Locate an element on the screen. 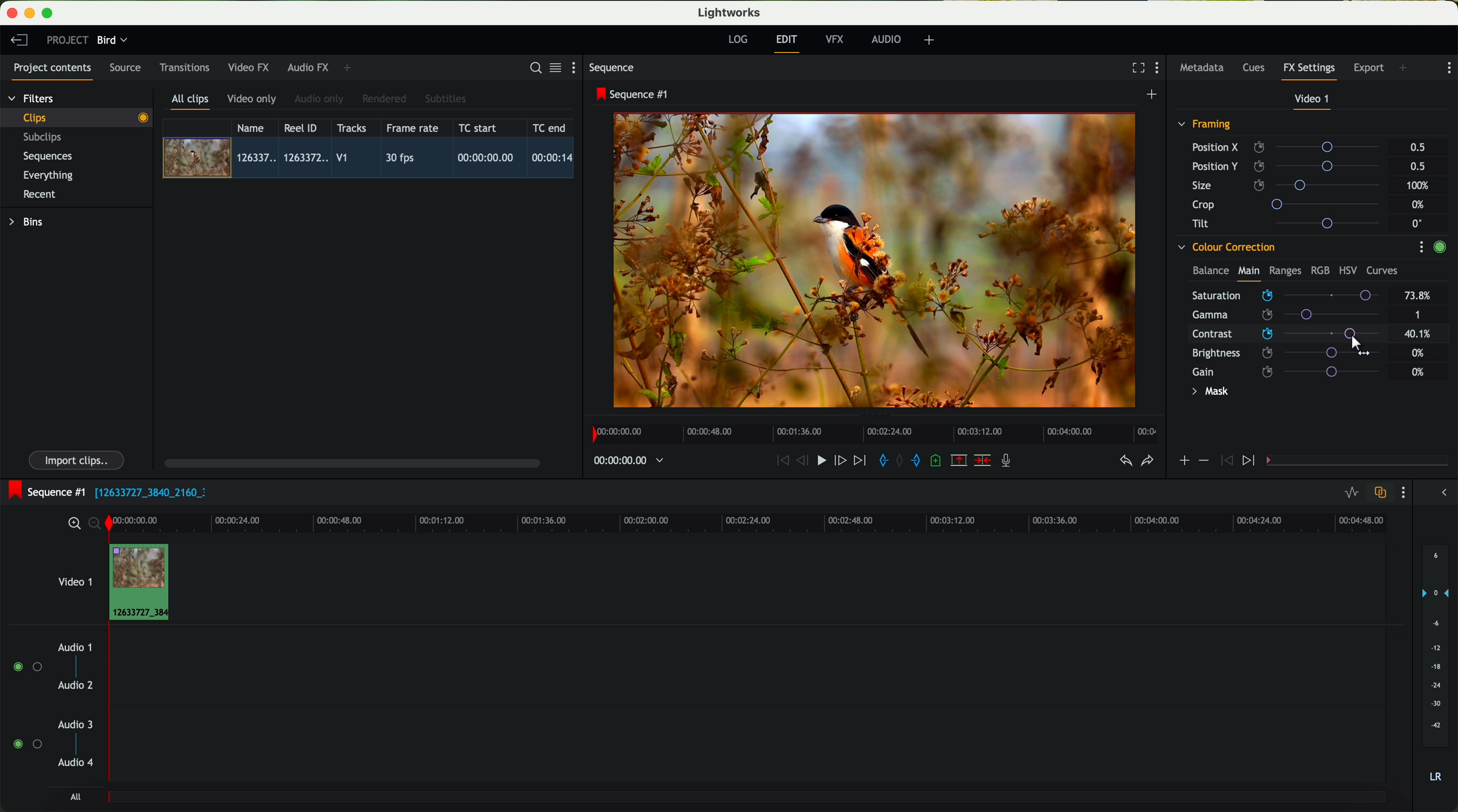 This screenshot has height=812, width=1458. timeline is located at coordinates (778, 522).